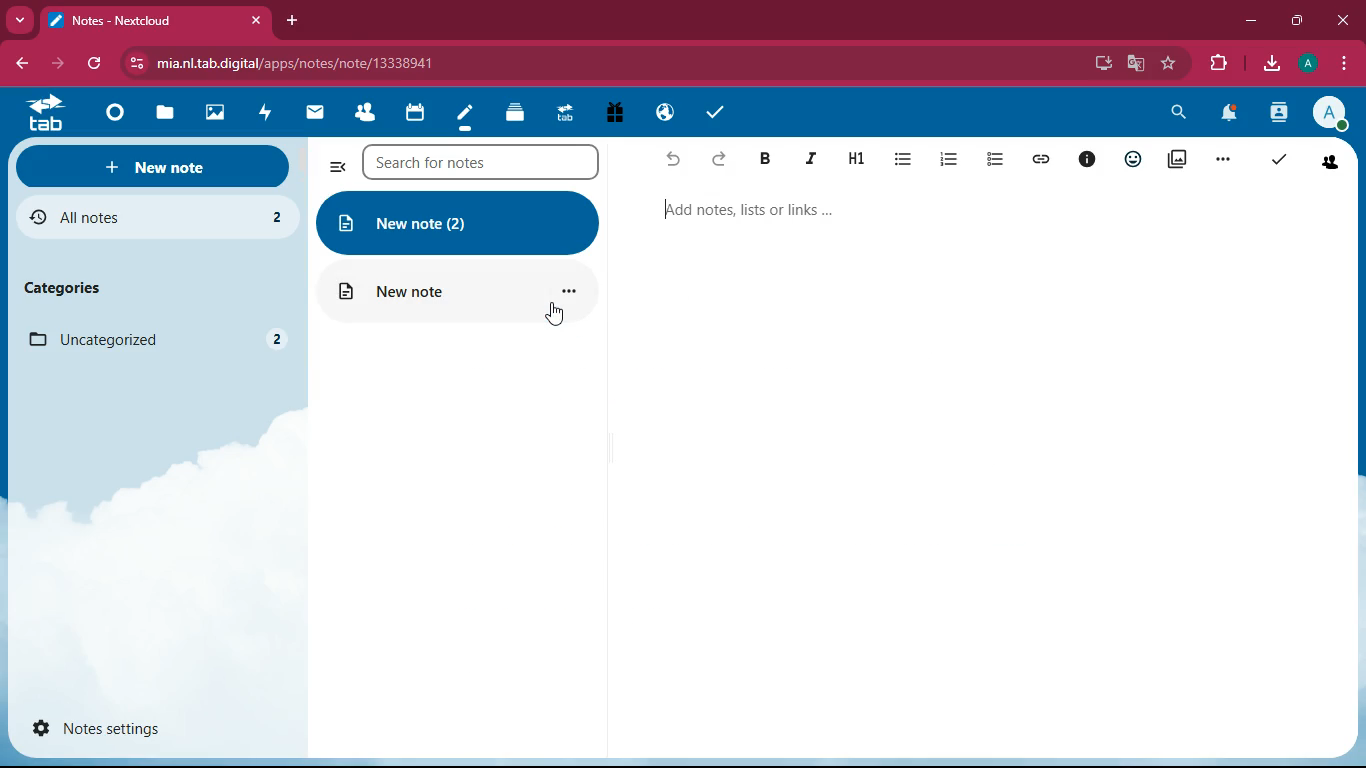 This screenshot has height=768, width=1366. What do you see at coordinates (62, 287) in the screenshot?
I see `categories` at bounding box center [62, 287].